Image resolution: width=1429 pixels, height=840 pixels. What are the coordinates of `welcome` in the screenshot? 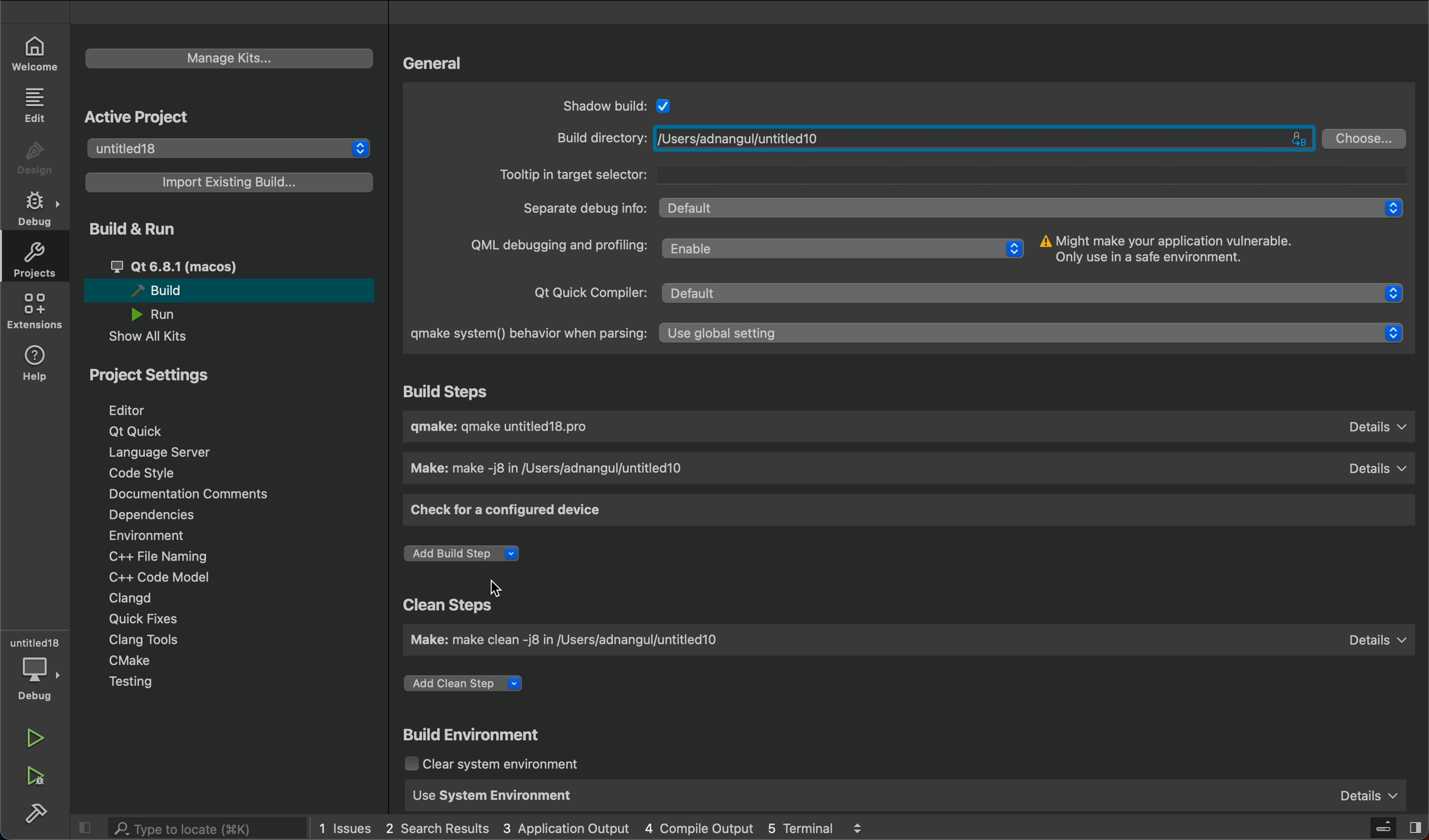 It's located at (35, 53).